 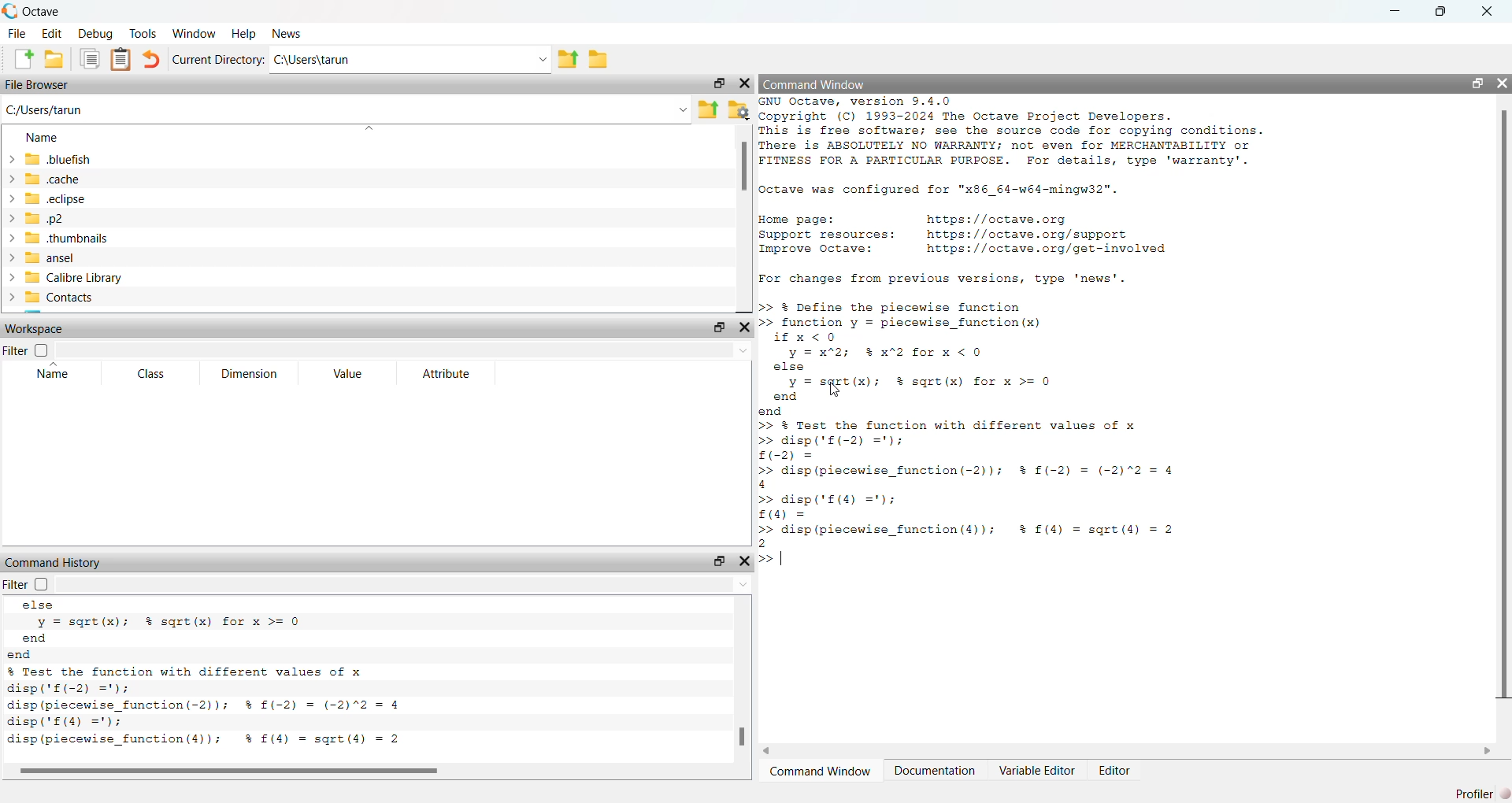 What do you see at coordinates (746, 328) in the screenshot?
I see `Close` at bounding box center [746, 328].